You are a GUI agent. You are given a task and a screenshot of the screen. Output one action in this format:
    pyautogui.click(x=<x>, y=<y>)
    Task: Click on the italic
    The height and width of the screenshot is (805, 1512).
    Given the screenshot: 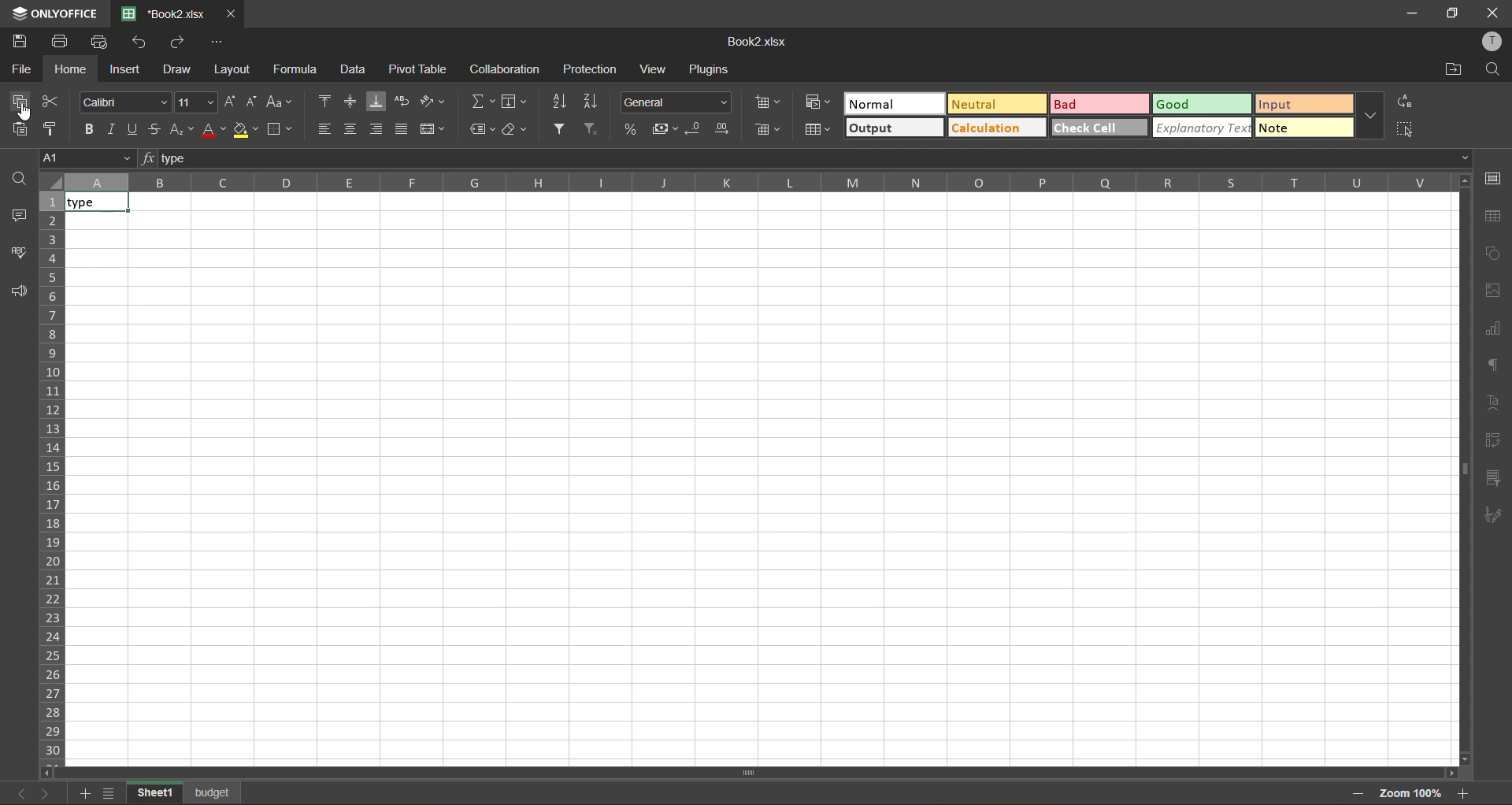 What is the action you would take?
    pyautogui.click(x=110, y=129)
    